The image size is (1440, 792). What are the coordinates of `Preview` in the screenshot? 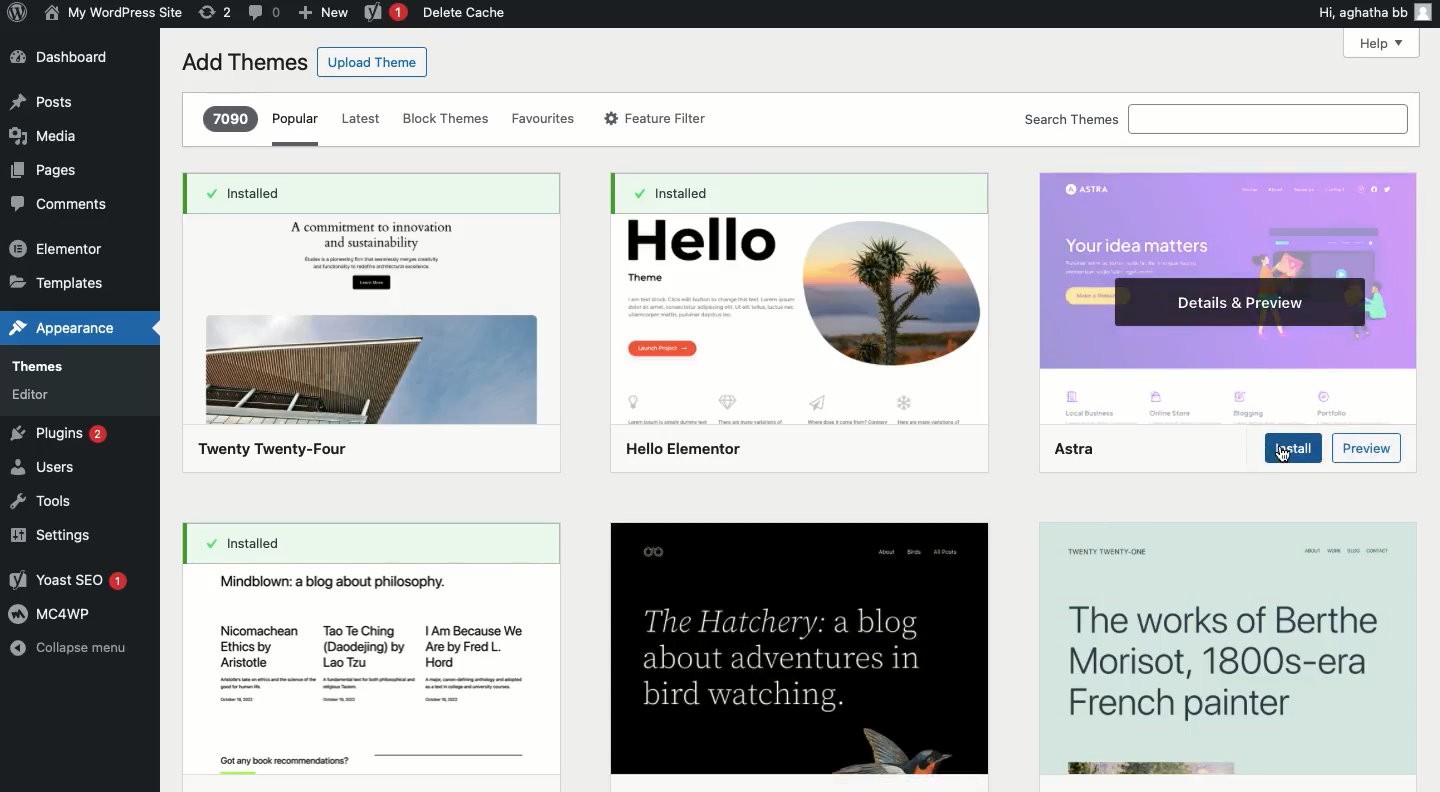 It's located at (1367, 447).